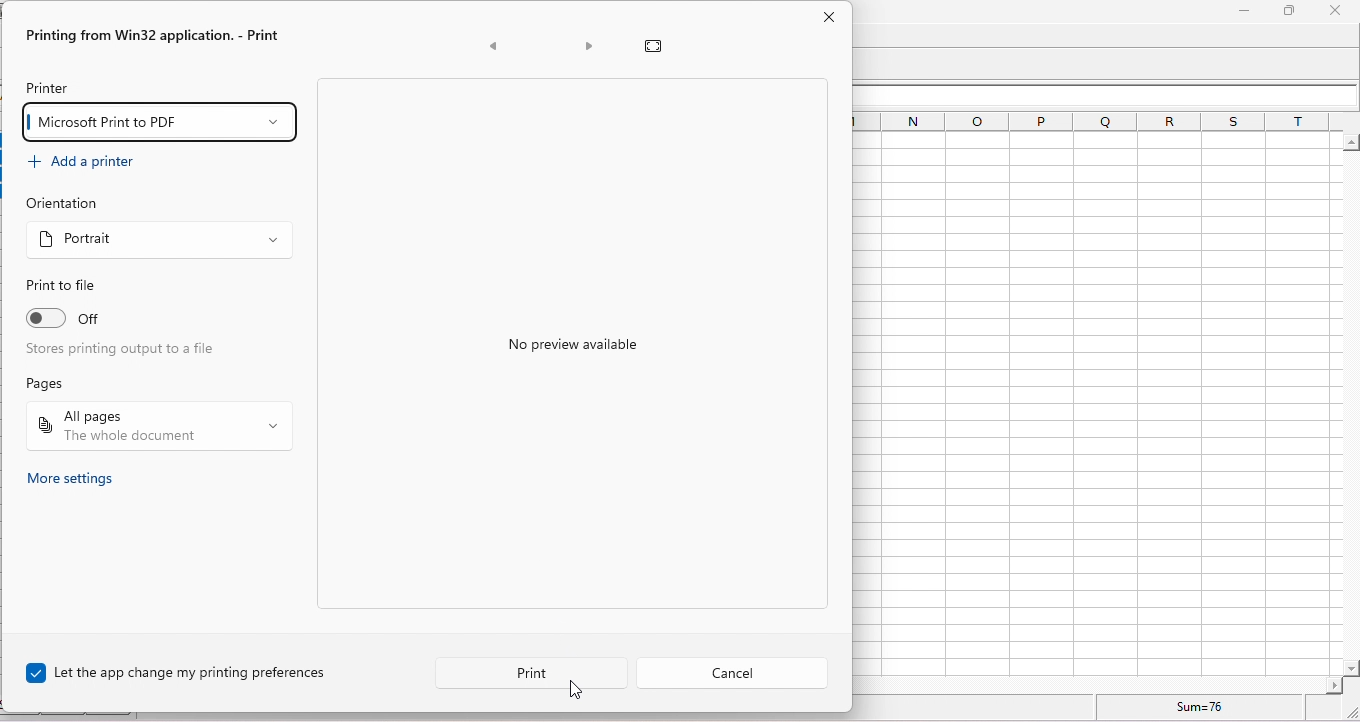 This screenshot has width=1360, height=722. I want to click on off, so click(133, 320).